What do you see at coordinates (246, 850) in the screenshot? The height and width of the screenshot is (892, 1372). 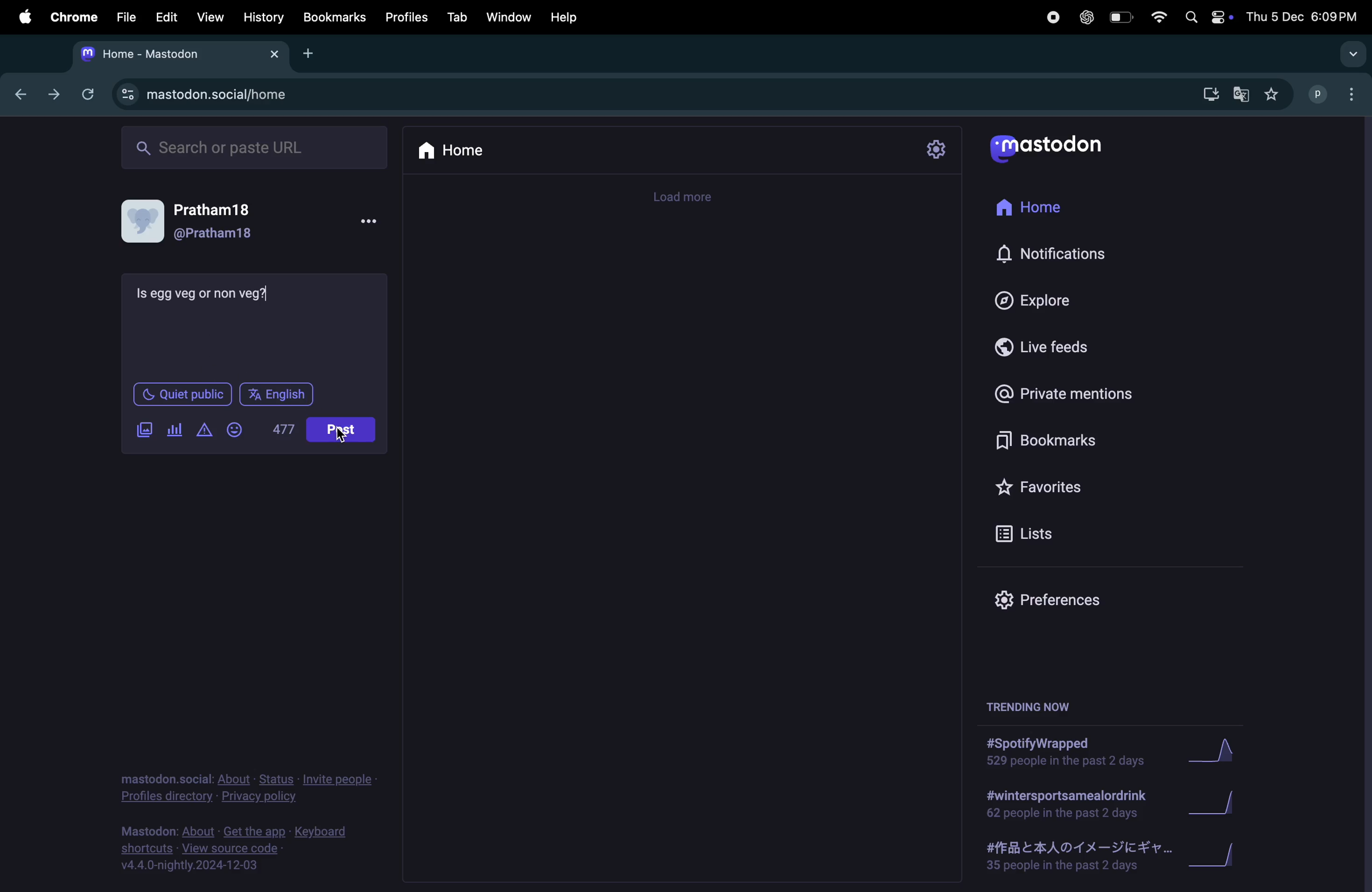 I see `view source code` at bounding box center [246, 850].